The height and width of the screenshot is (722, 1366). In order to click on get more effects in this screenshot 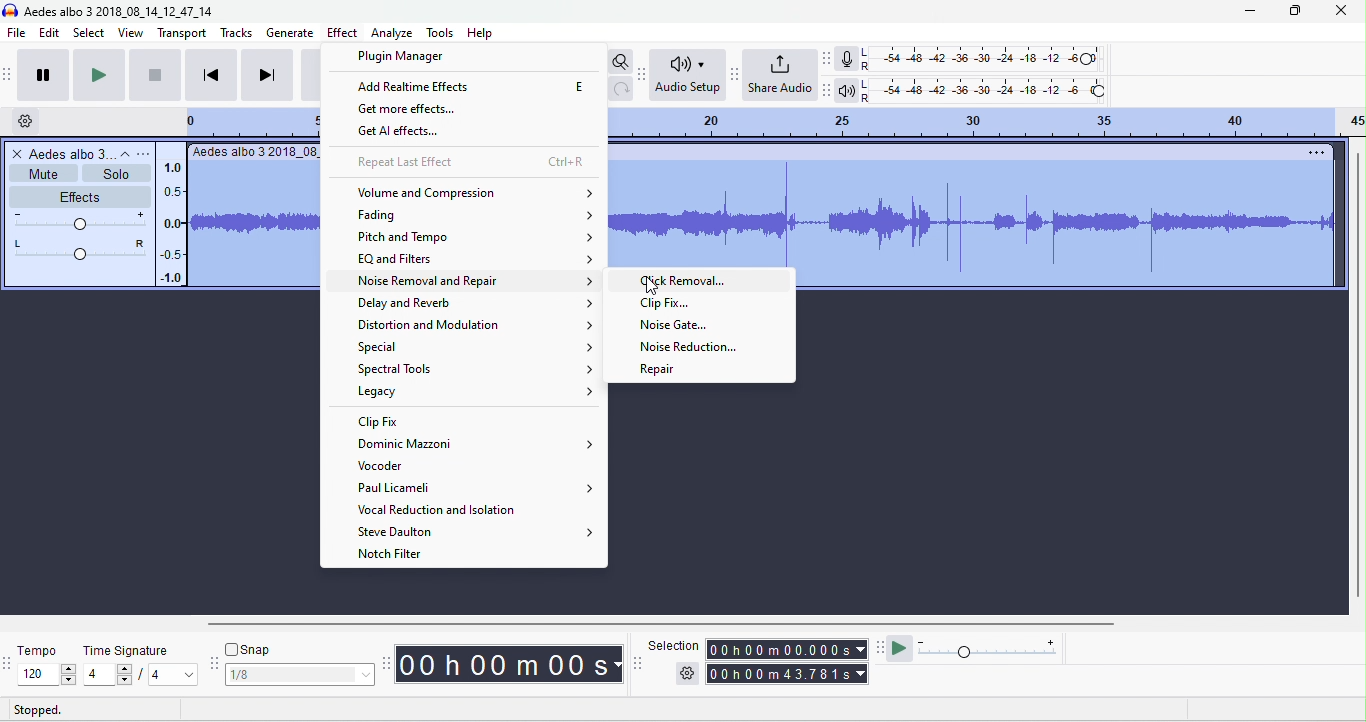, I will do `click(422, 110)`.